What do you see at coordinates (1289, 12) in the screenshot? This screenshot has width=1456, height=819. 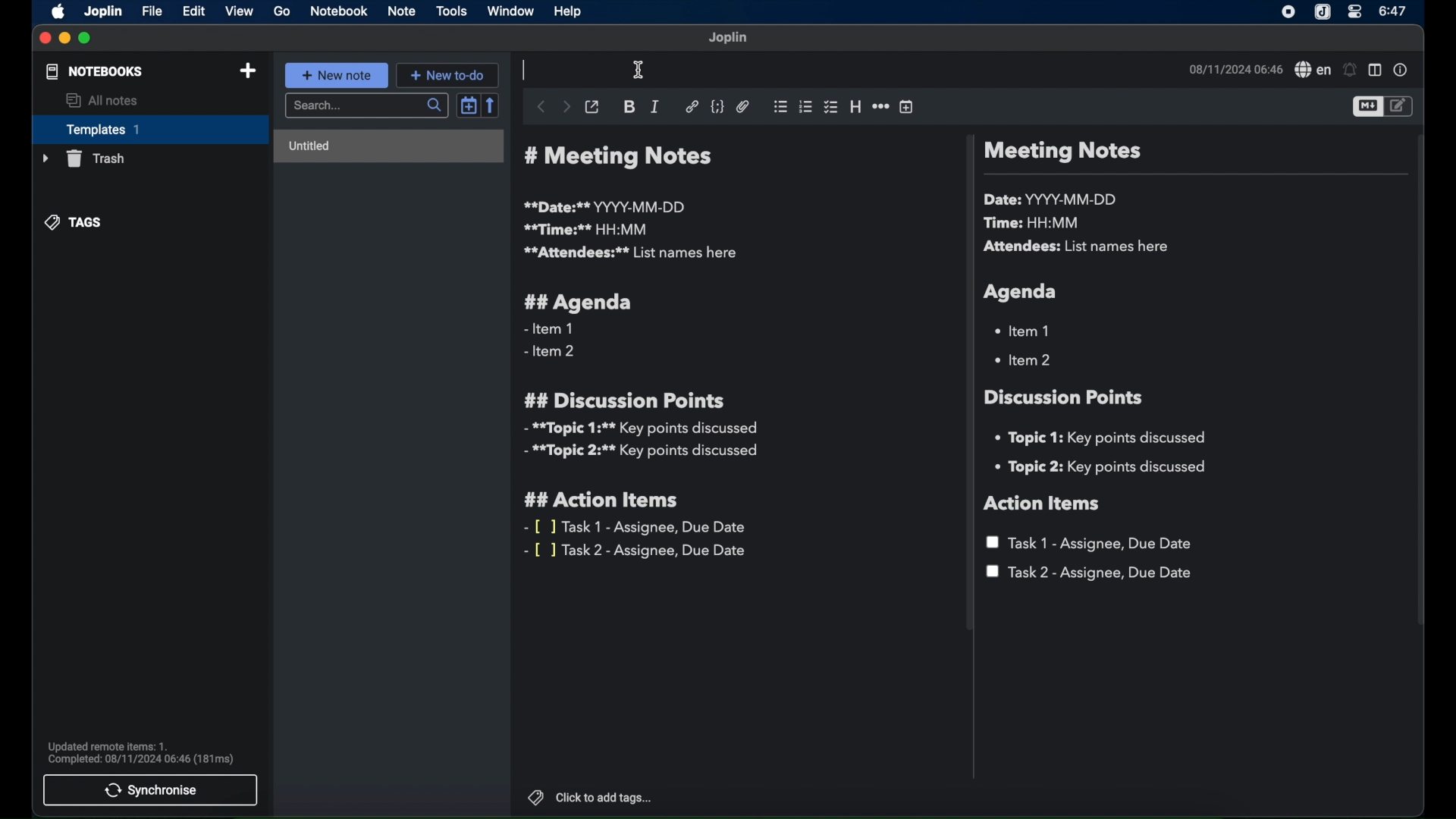 I see `screen recorder icon` at bounding box center [1289, 12].